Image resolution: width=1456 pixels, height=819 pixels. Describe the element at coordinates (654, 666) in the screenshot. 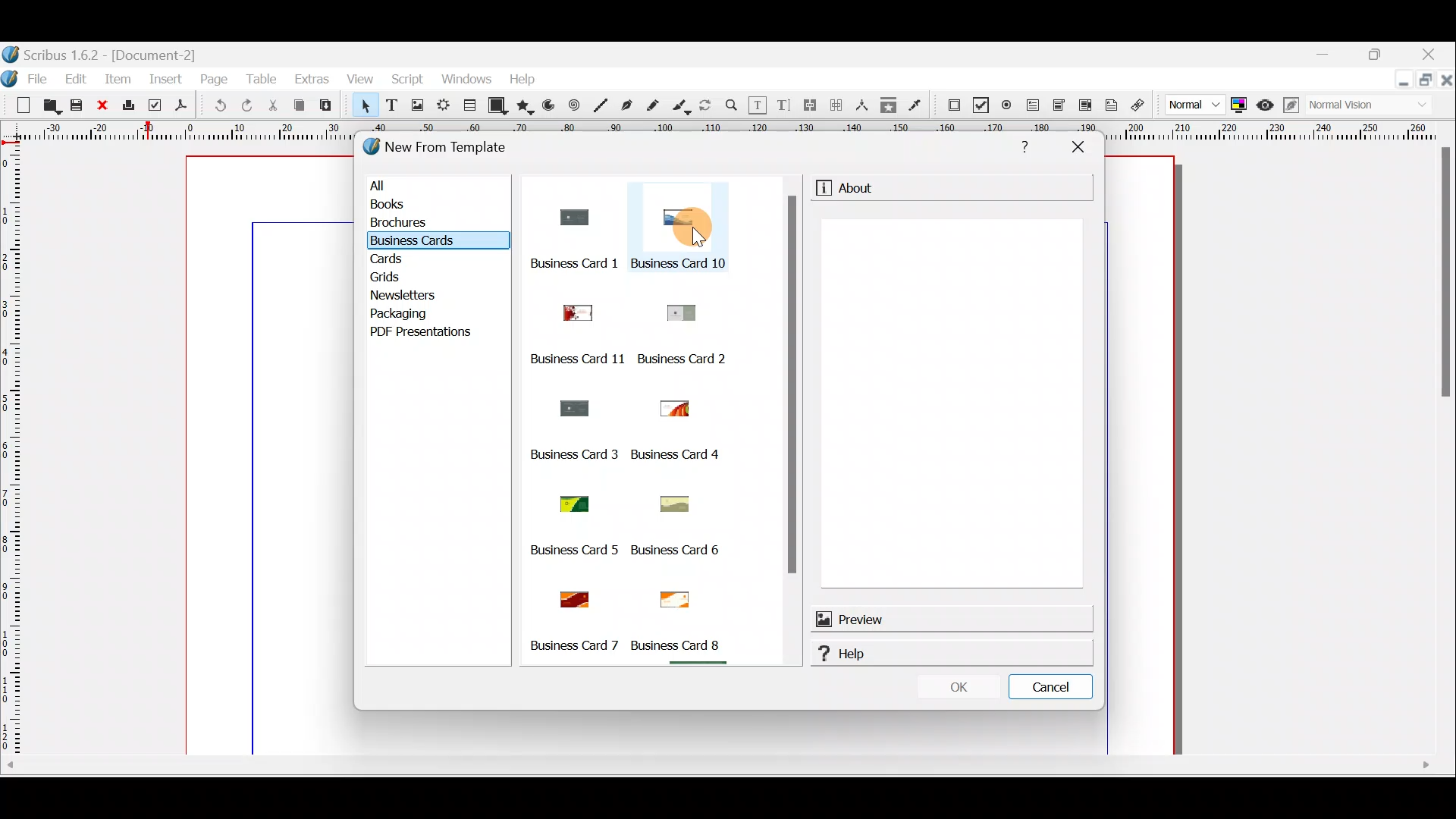

I see `Scroll bar` at that location.